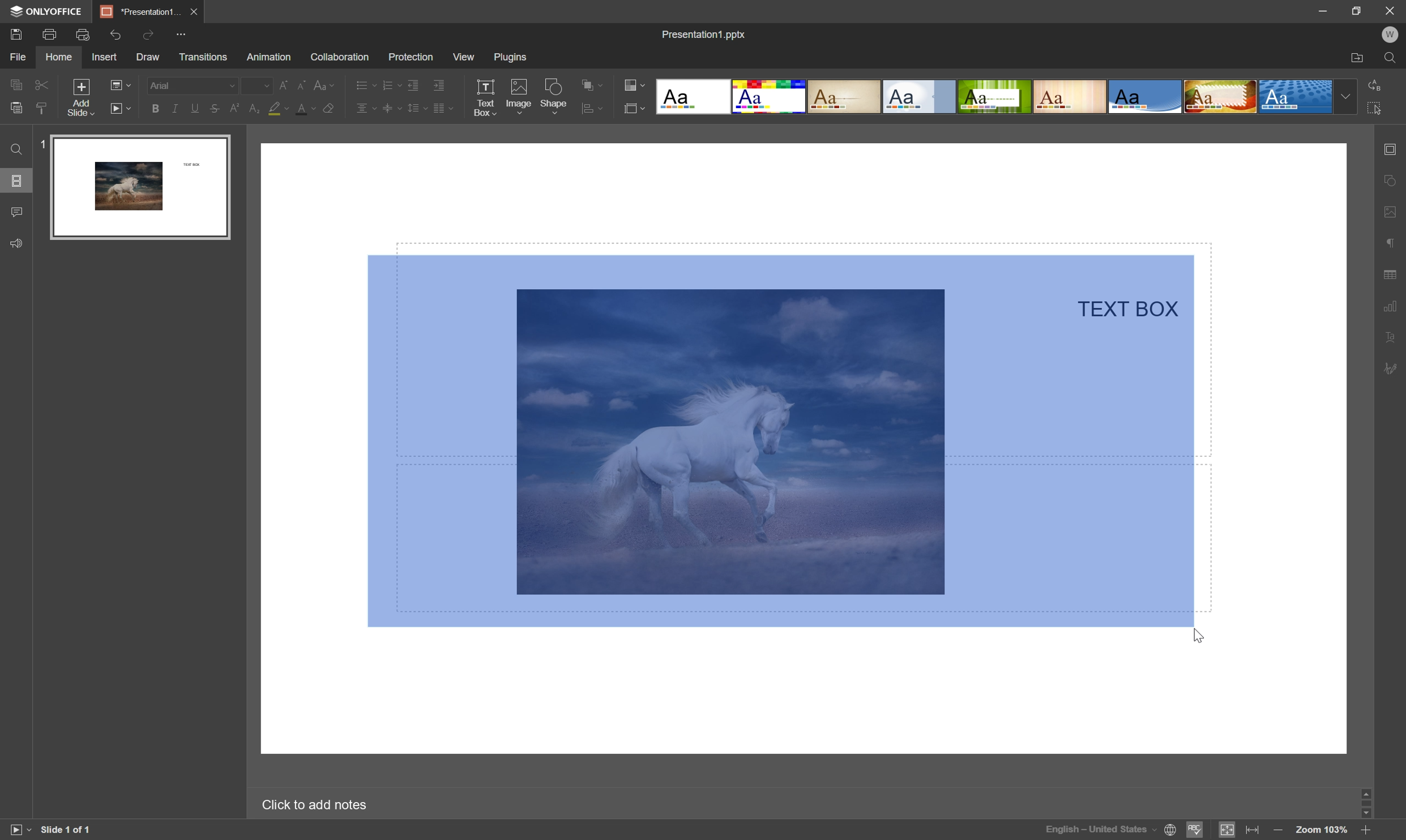 The image size is (1406, 840). What do you see at coordinates (48, 11) in the screenshot?
I see `onlyoffice` at bounding box center [48, 11].